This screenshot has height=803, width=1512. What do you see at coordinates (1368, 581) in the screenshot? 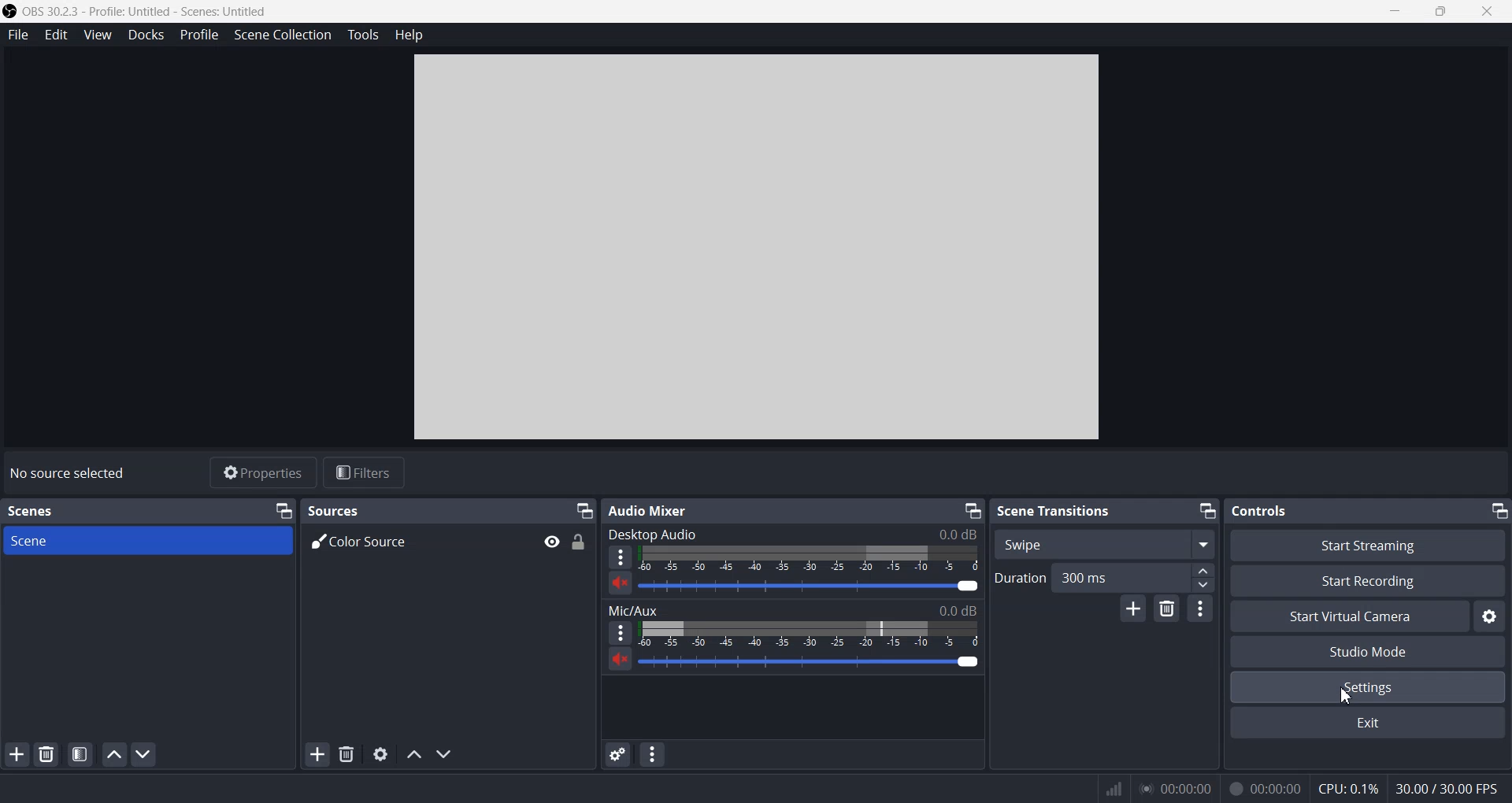
I see `Start Recording` at bounding box center [1368, 581].